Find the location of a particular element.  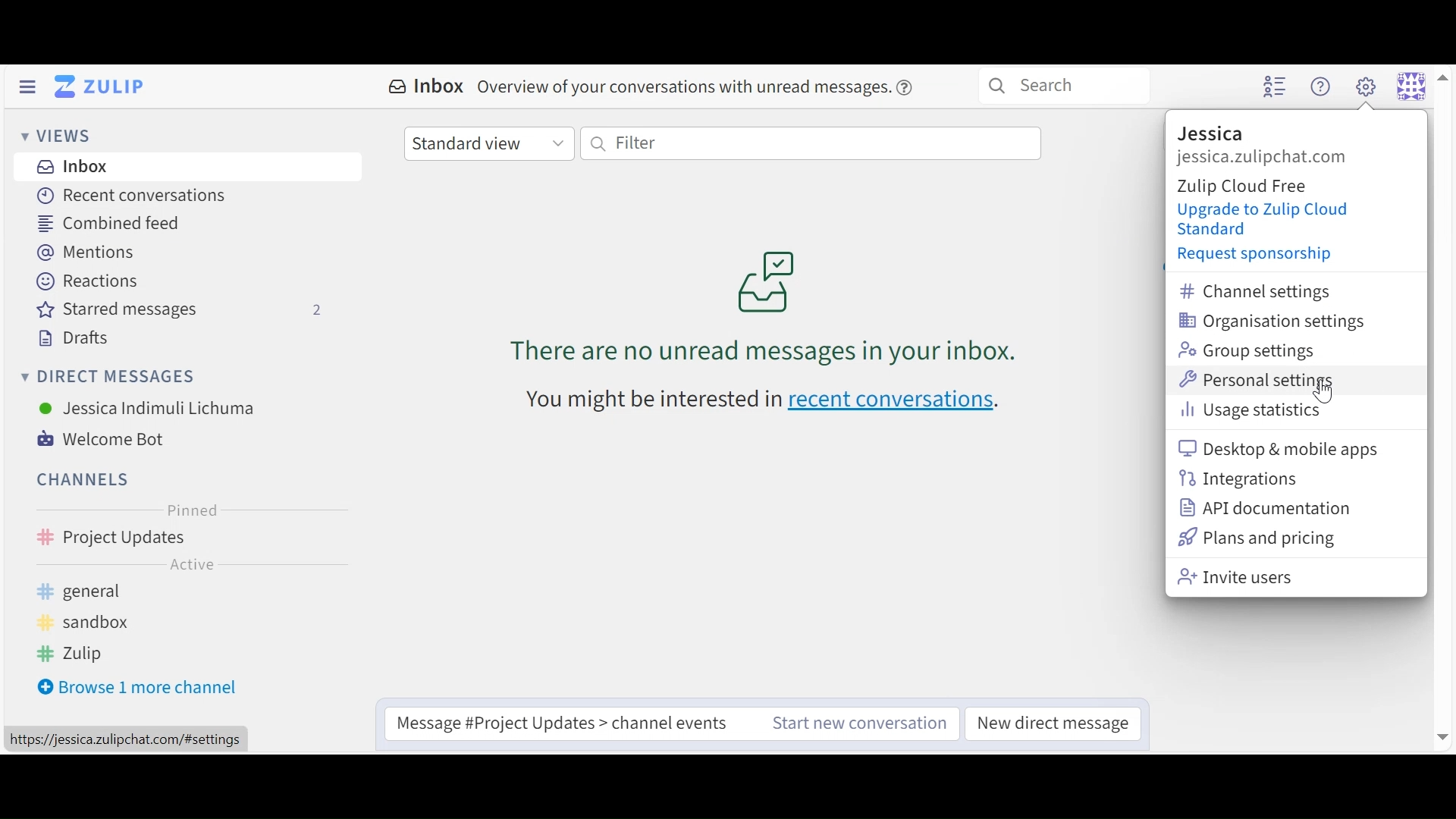

cursor is located at coordinates (1324, 393).